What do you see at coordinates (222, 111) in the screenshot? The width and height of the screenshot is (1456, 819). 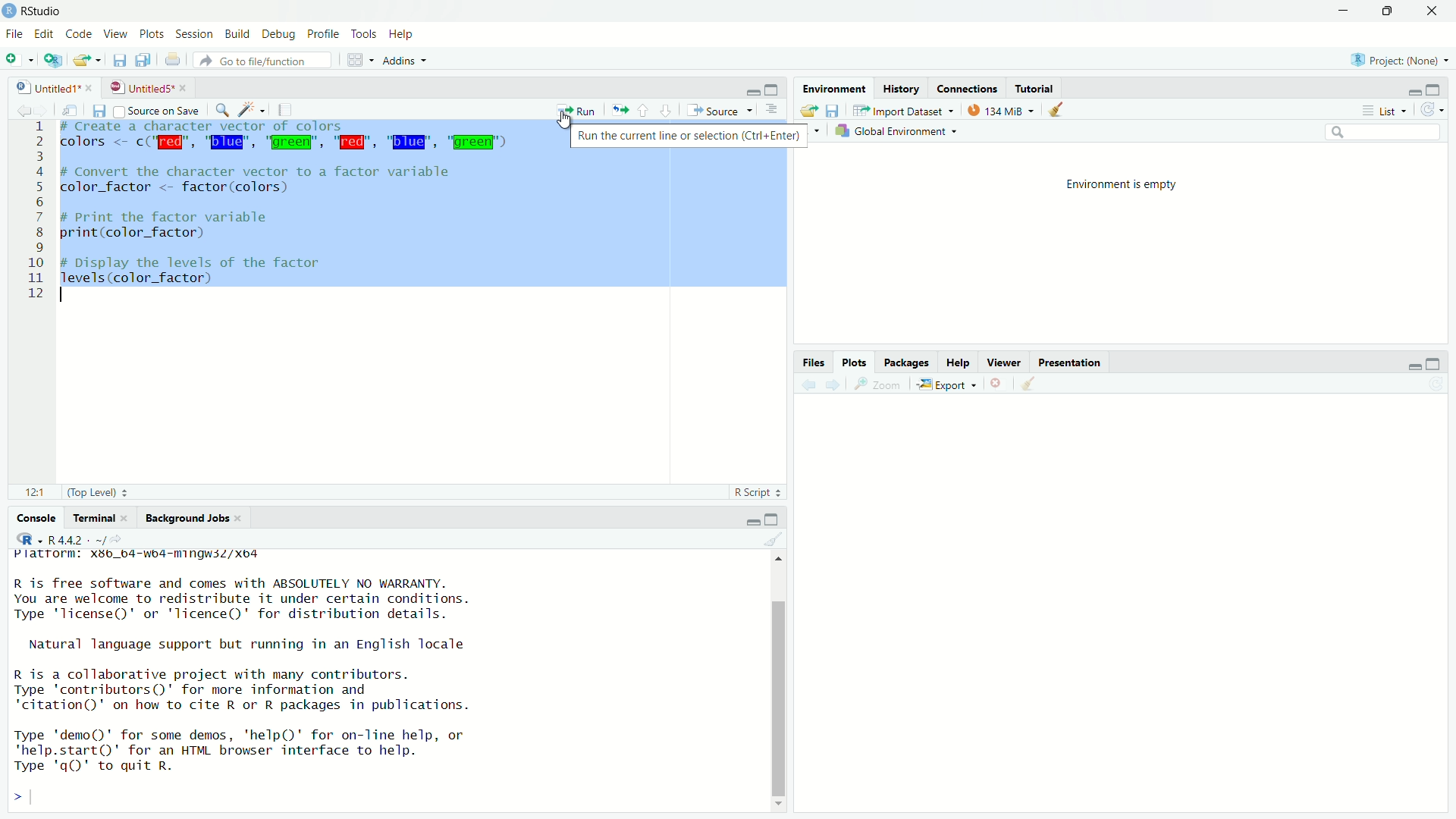 I see `find/replace` at bounding box center [222, 111].